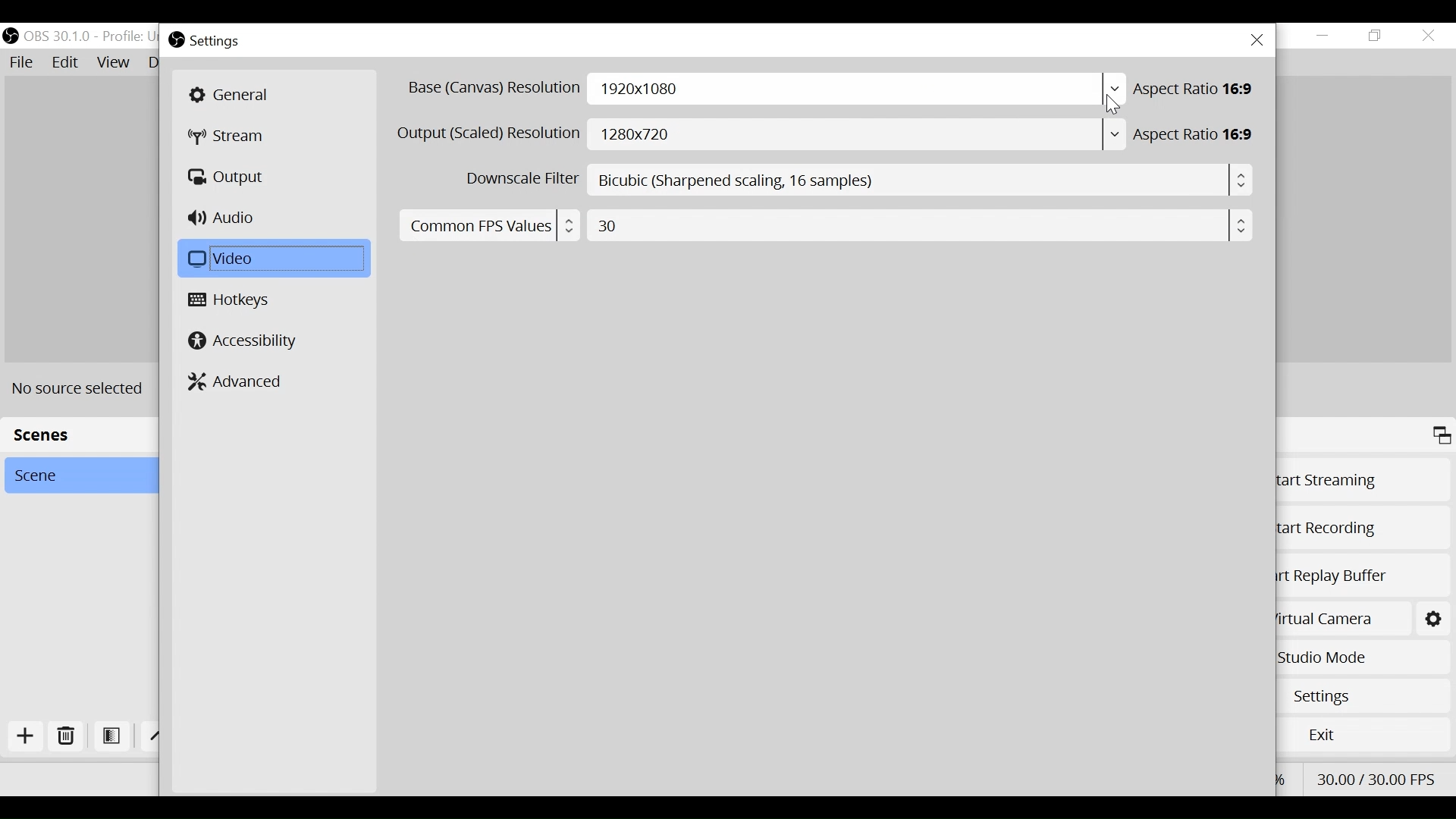 Image resolution: width=1456 pixels, height=819 pixels. I want to click on Aspect Ratio 16:9, so click(1198, 89).